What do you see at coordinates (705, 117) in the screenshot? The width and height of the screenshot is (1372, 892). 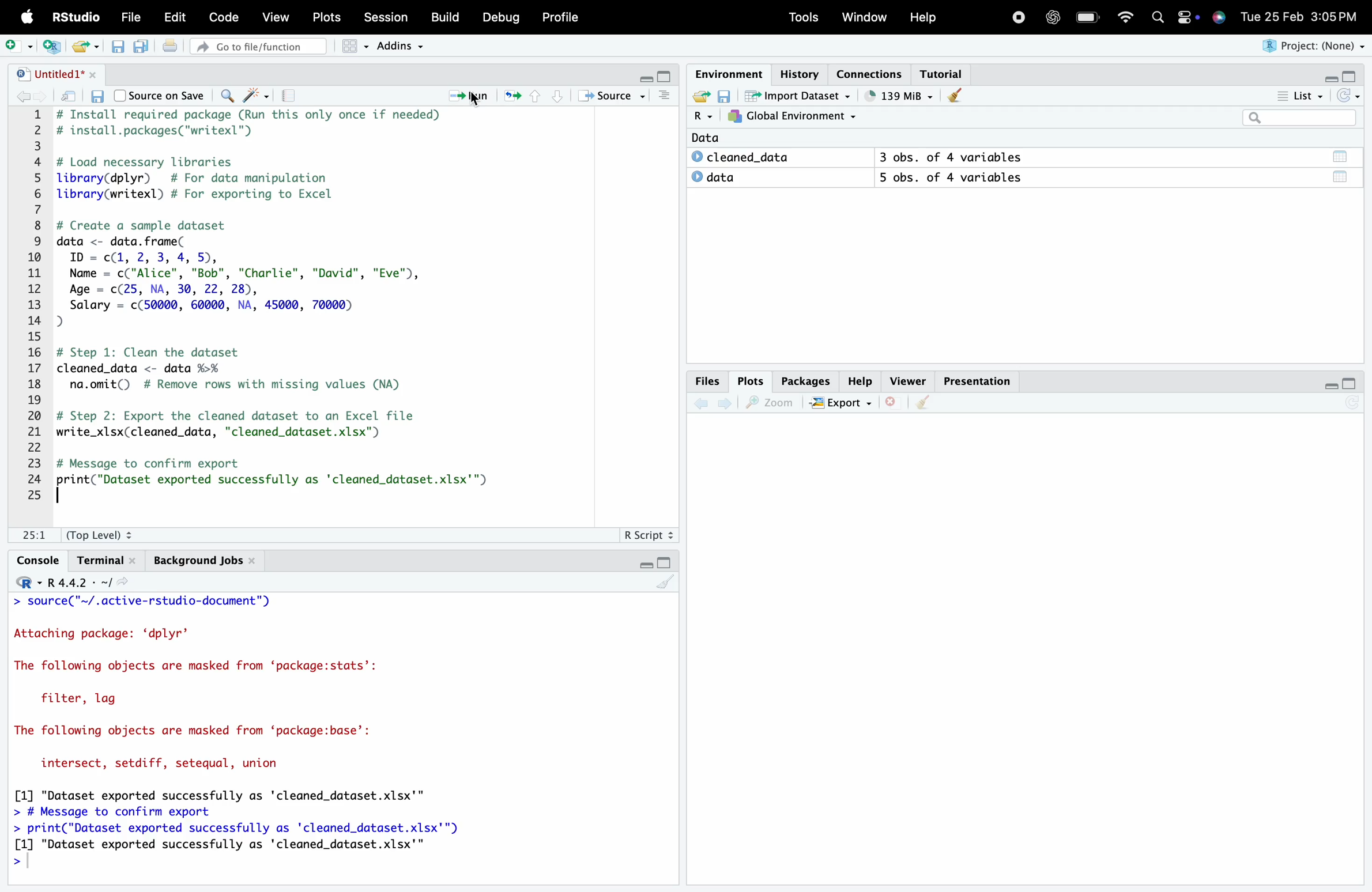 I see `R` at bounding box center [705, 117].